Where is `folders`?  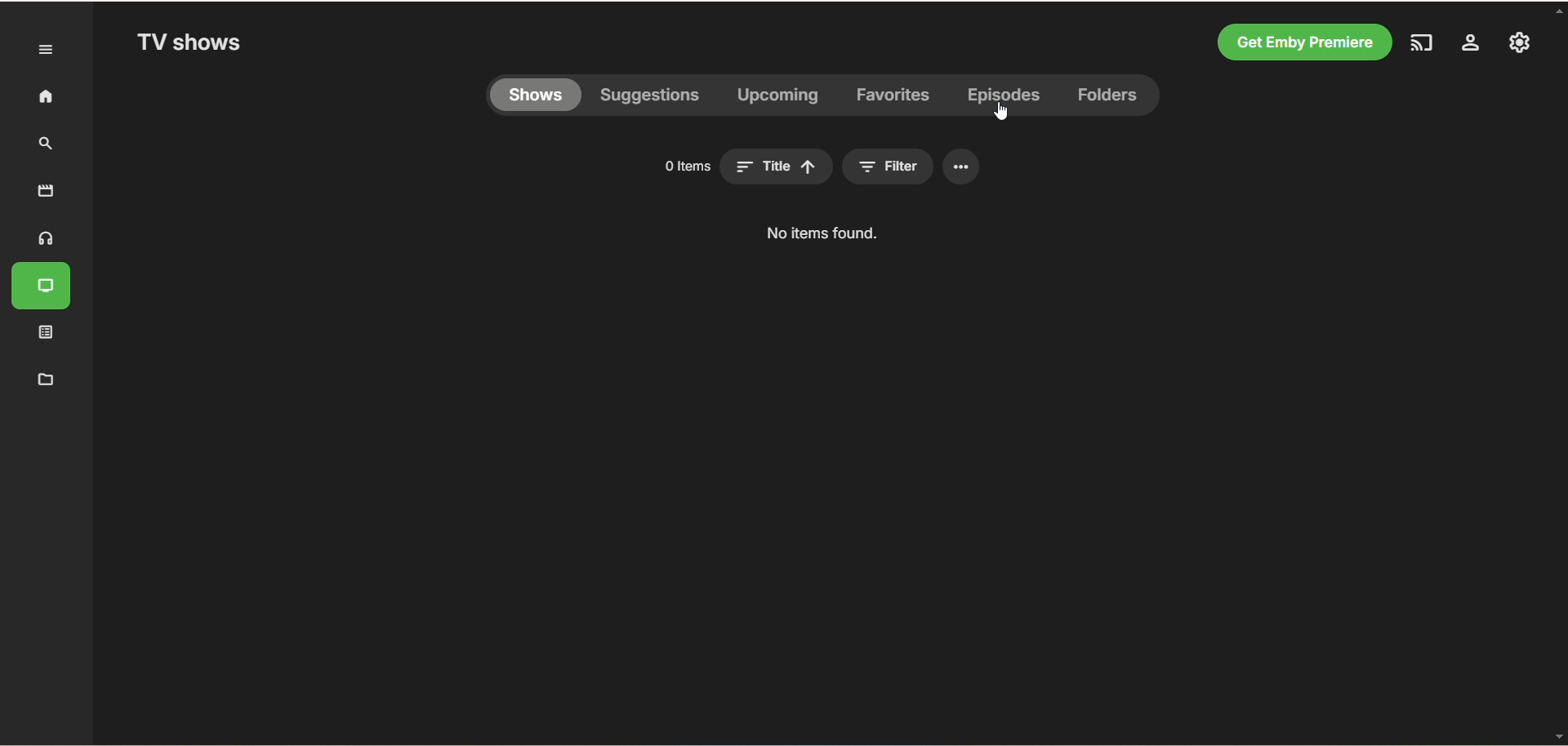 folders is located at coordinates (1111, 95).